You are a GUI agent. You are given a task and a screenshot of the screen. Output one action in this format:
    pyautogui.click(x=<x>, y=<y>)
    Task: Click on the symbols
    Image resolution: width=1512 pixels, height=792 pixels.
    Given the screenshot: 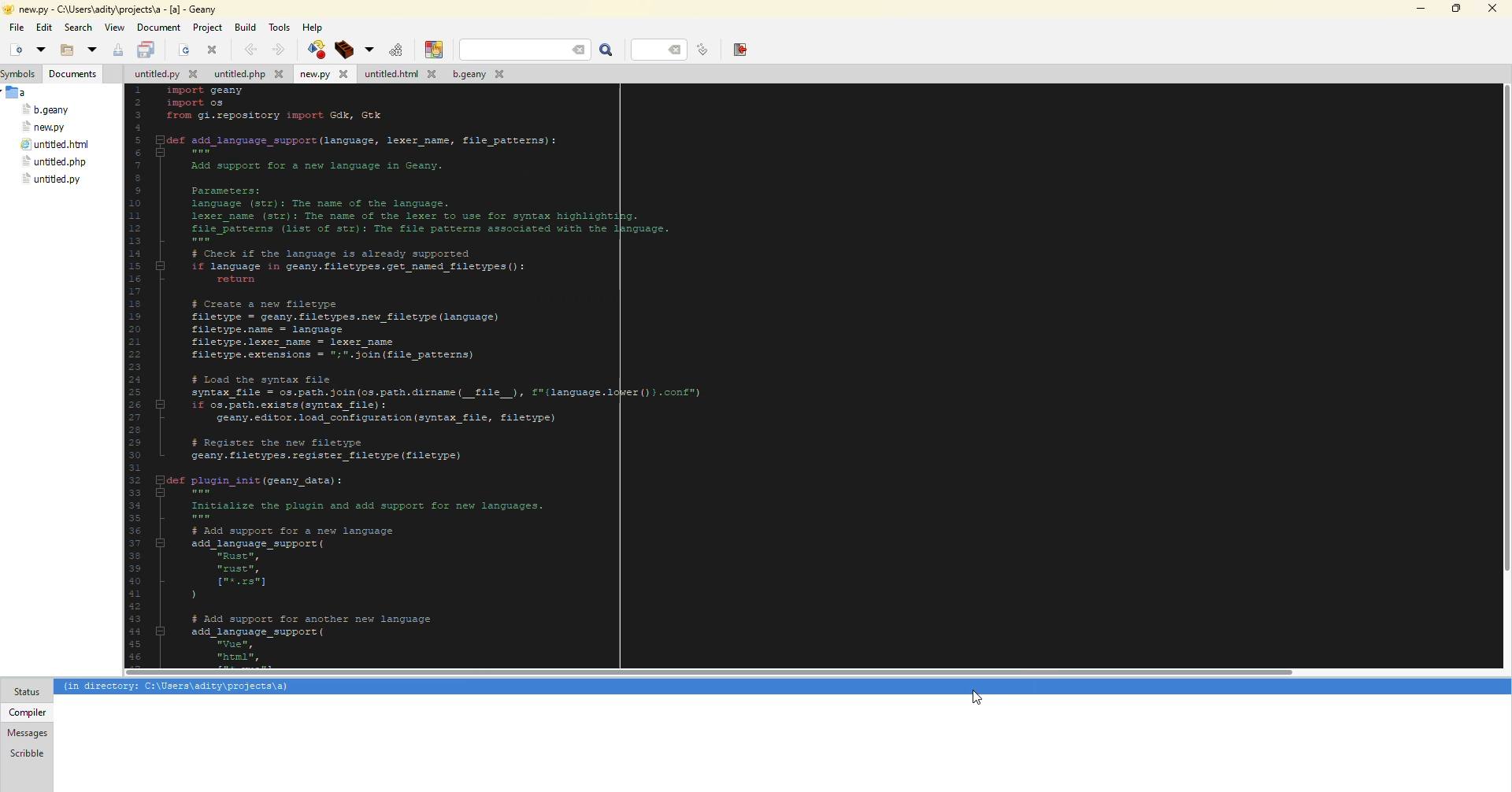 What is the action you would take?
    pyautogui.click(x=22, y=74)
    